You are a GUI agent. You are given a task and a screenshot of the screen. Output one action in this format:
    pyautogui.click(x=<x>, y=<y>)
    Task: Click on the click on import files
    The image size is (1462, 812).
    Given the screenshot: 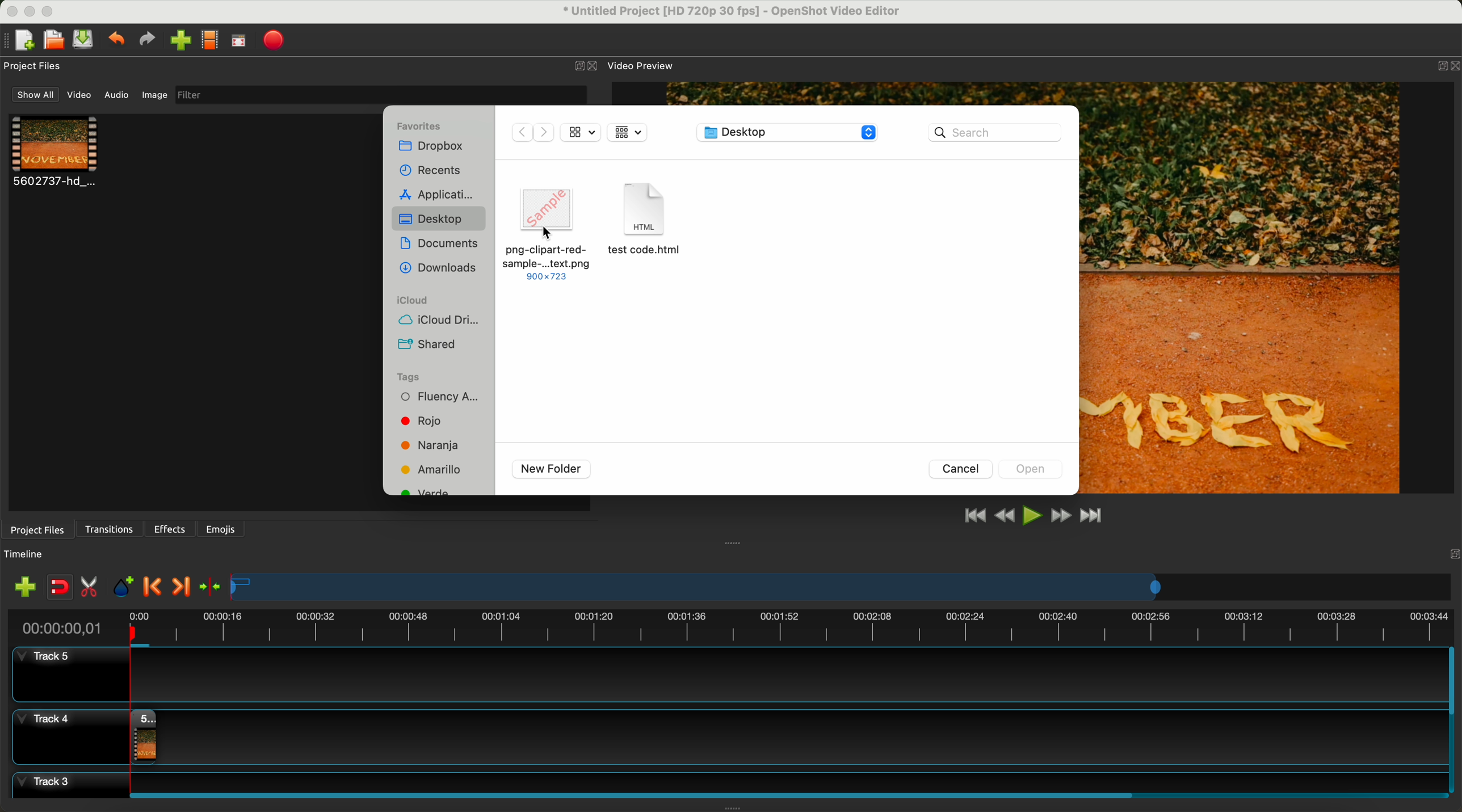 What is the action you would take?
    pyautogui.click(x=182, y=41)
    